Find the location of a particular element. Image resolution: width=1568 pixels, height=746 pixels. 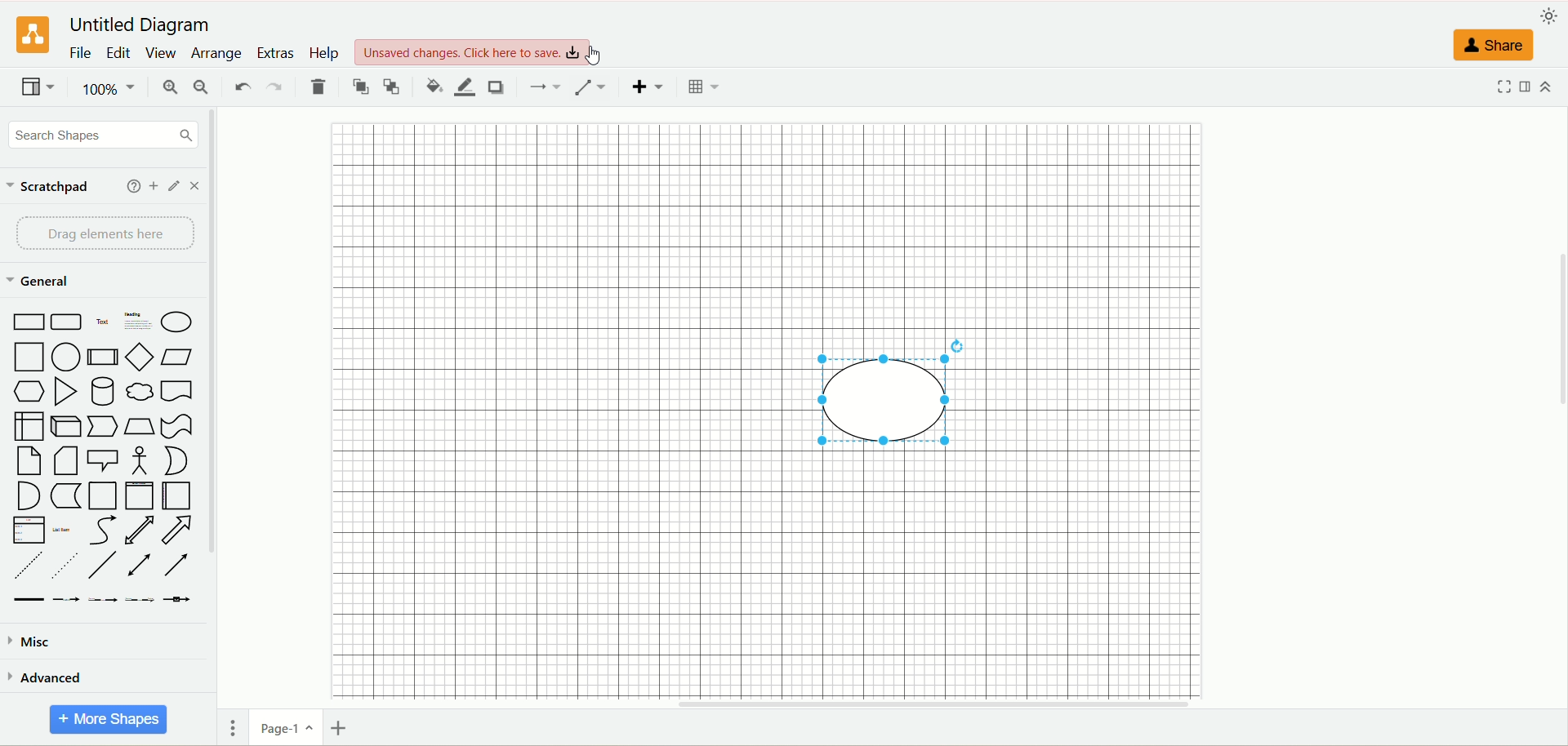

cube is located at coordinates (66, 424).